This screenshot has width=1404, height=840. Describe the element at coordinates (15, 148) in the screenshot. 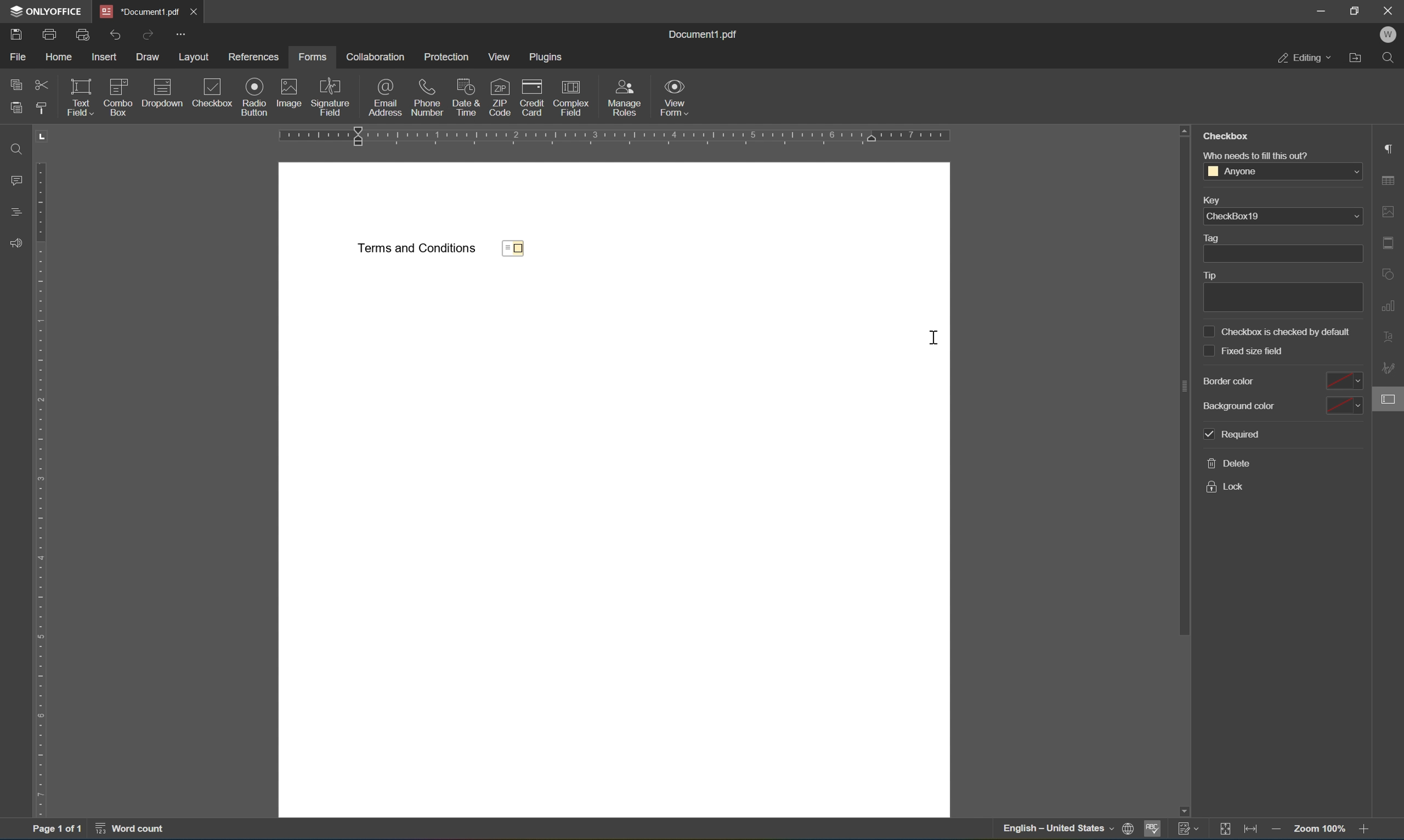

I see `find` at that location.